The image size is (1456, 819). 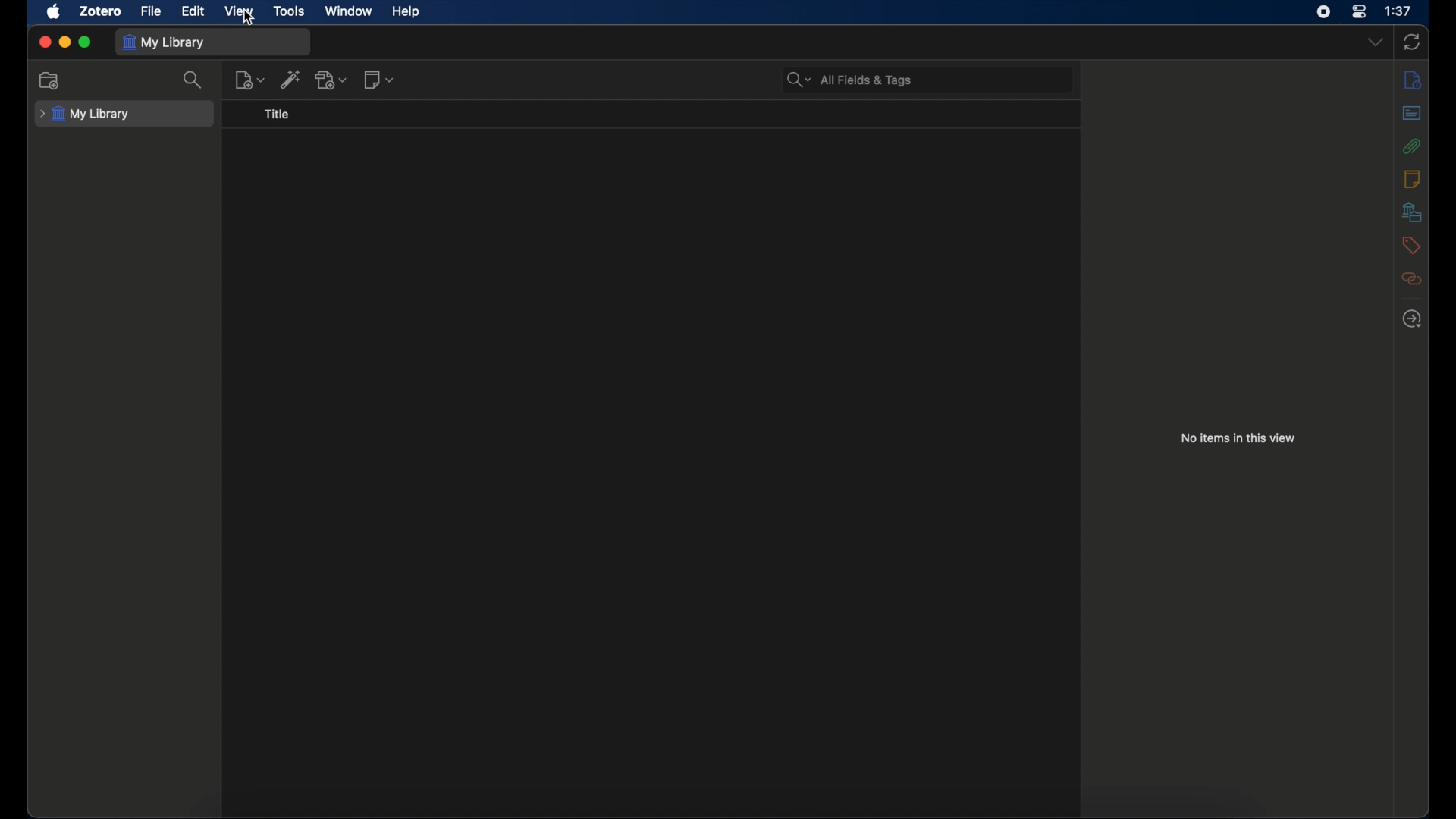 What do you see at coordinates (1412, 179) in the screenshot?
I see `notes` at bounding box center [1412, 179].